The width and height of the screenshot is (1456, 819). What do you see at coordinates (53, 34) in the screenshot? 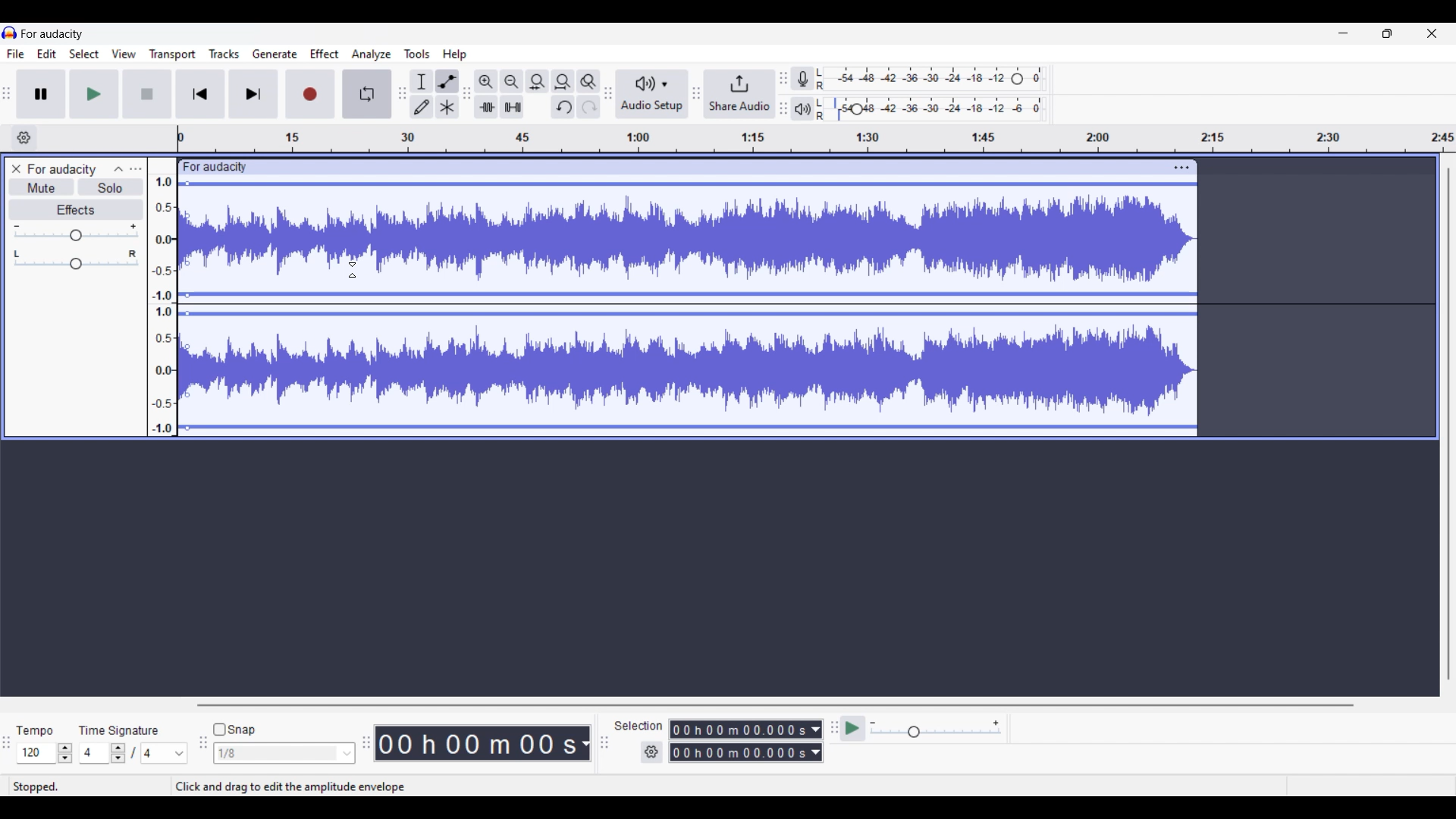
I see `for audacity` at bounding box center [53, 34].